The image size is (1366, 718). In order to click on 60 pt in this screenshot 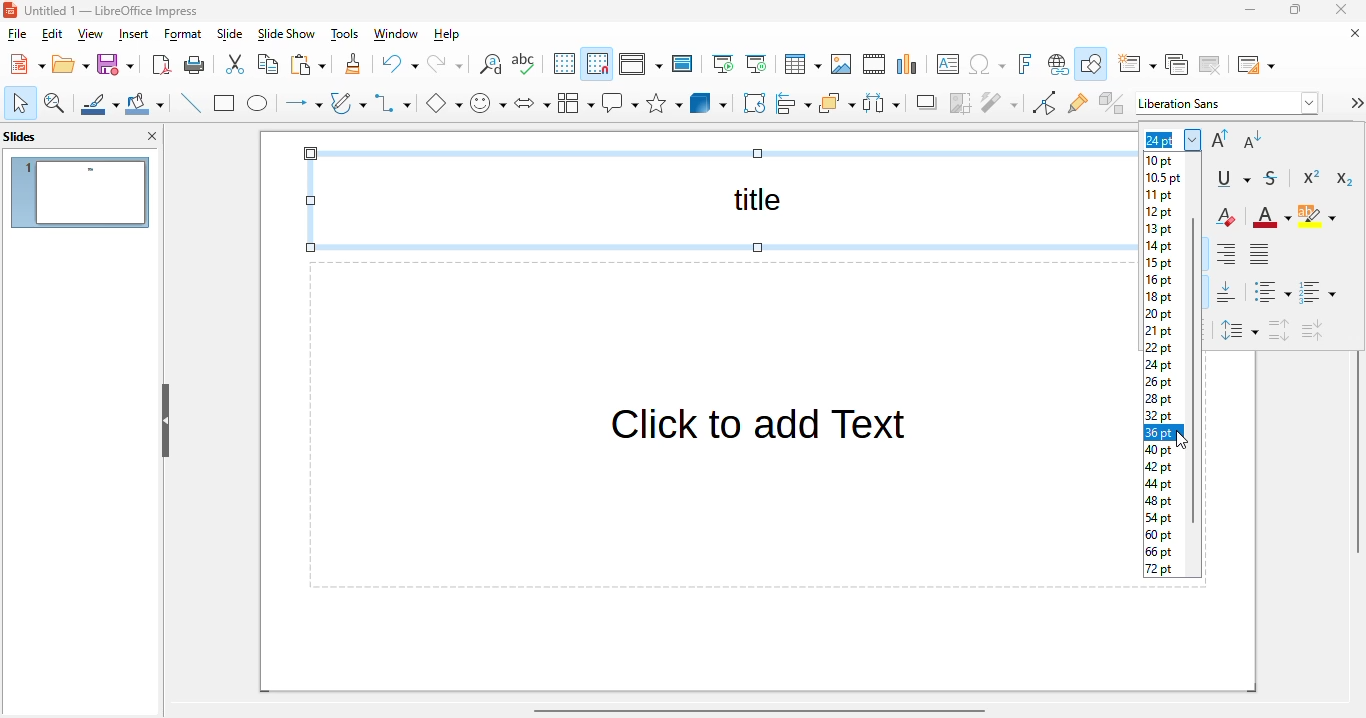, I will do `click(1160, 534)`.